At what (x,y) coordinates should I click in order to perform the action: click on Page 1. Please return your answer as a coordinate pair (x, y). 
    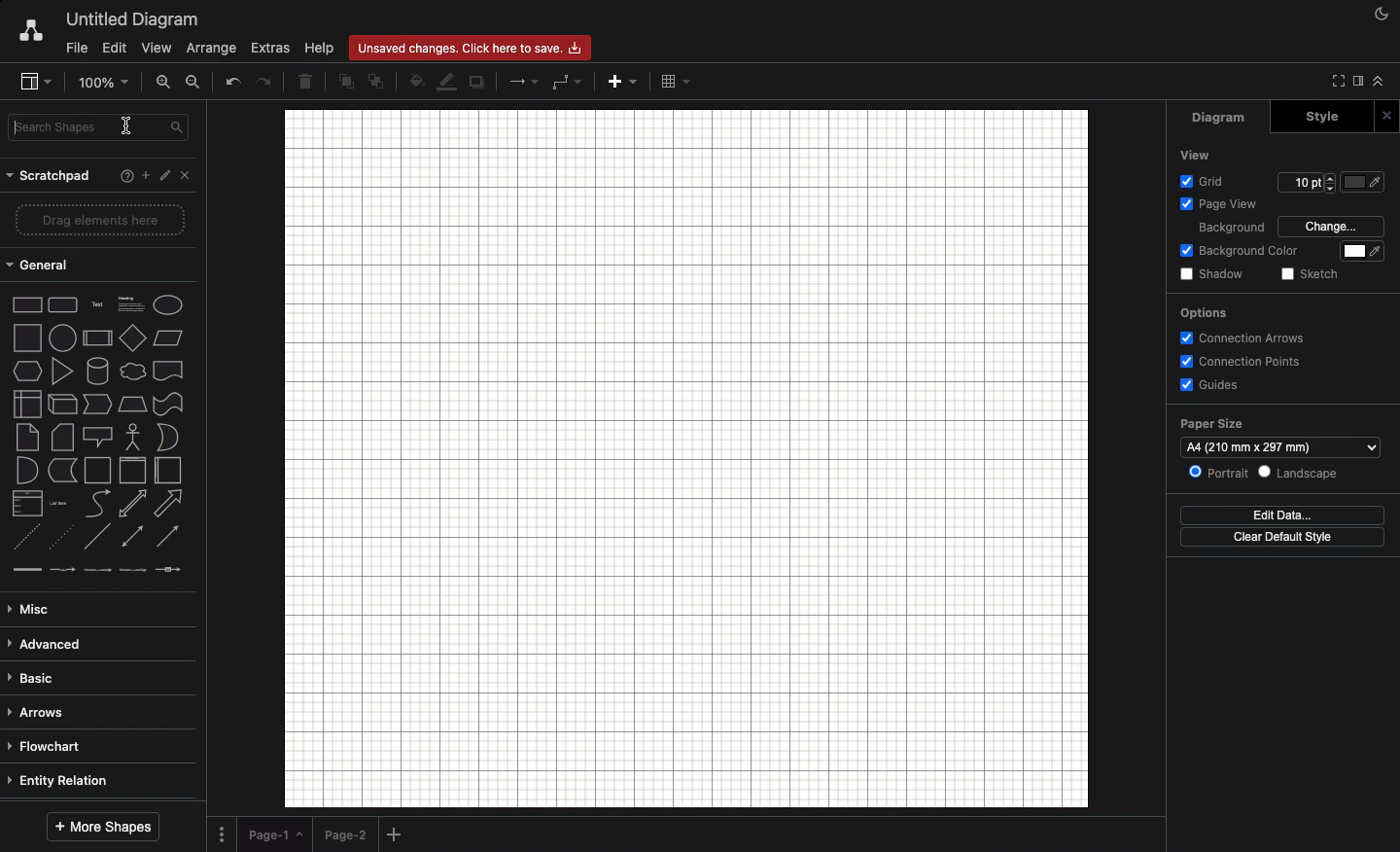
    Looking at the image, I should click on (274, 832).